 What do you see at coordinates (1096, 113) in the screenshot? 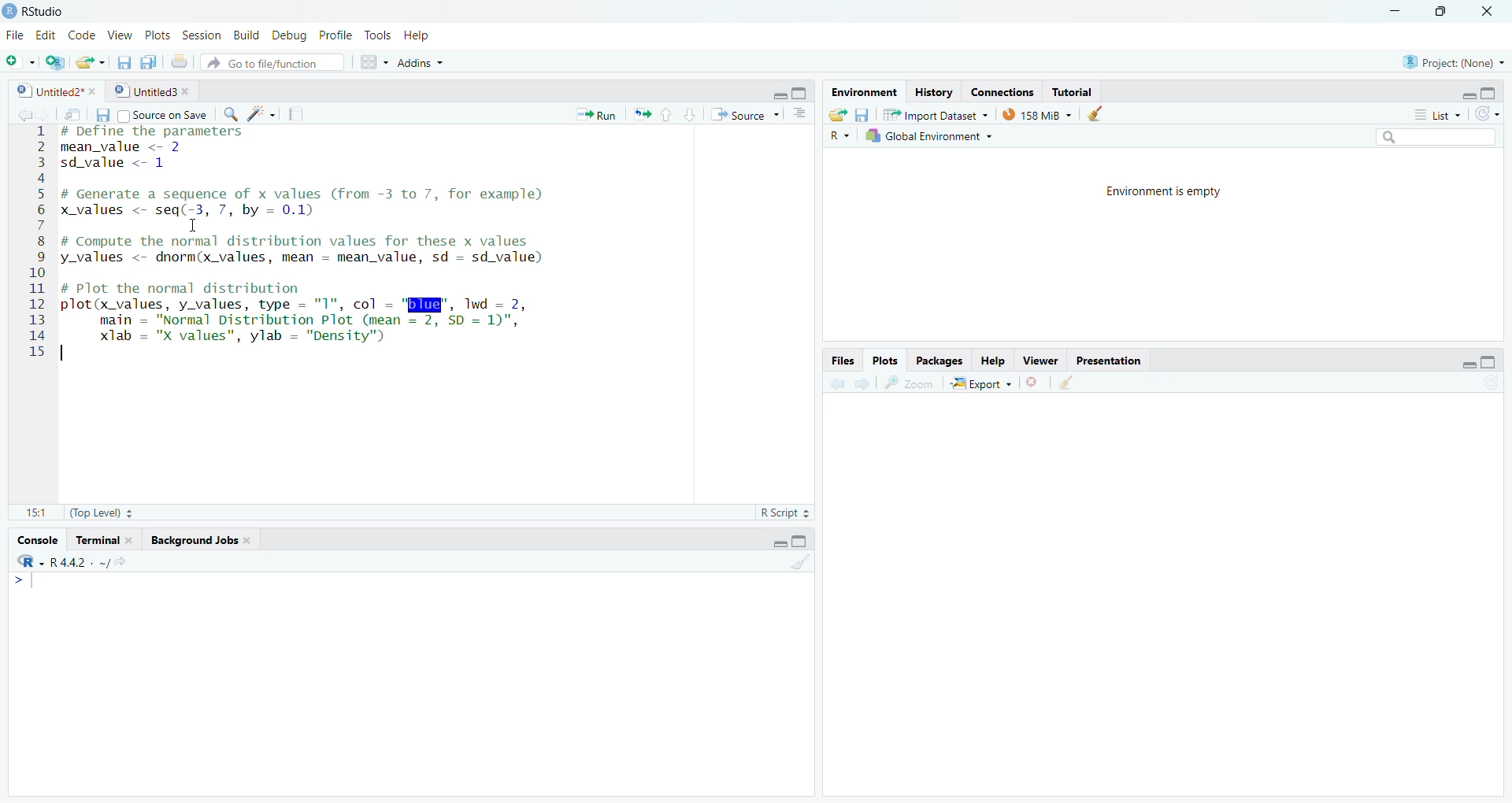
I see `` at bounding box center [1096, 113].